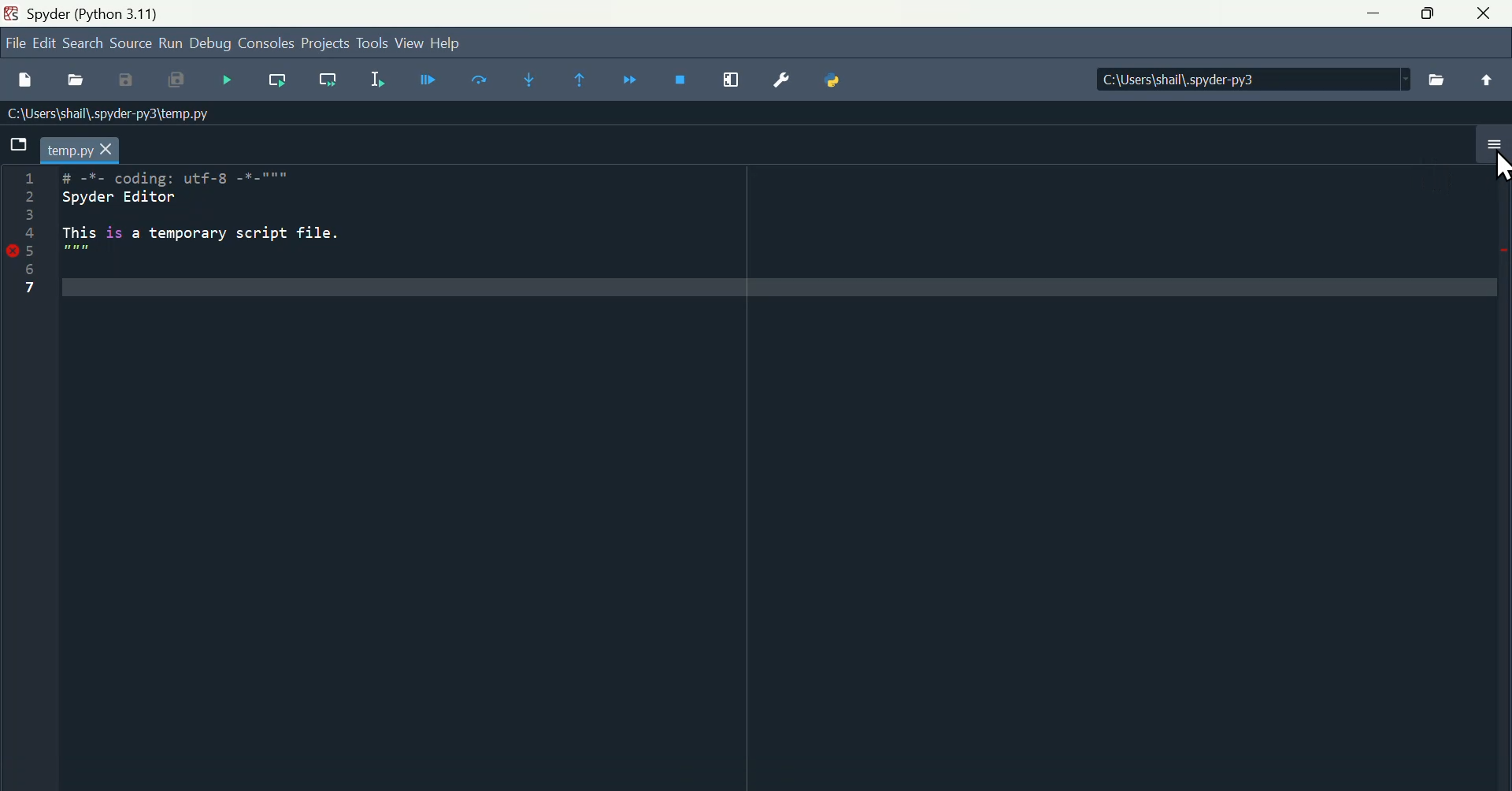 The height and width of the screenshot is (791, 1512). I want to click on Save all, so click(184, 84).